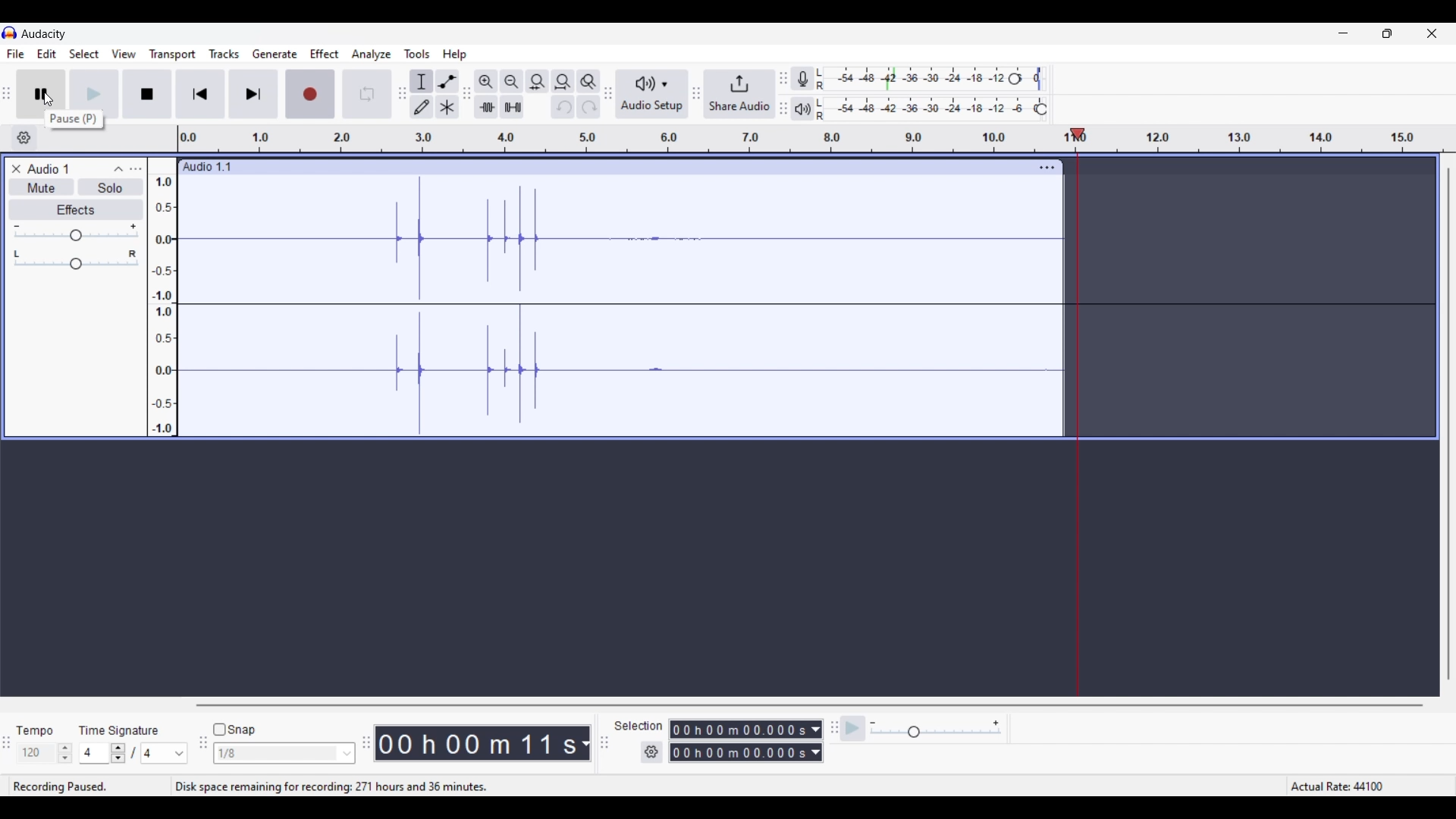  What do you see at coordinates (822, 96) in the screenshot?
I see `L R L R` at bounding box center [822, 96].